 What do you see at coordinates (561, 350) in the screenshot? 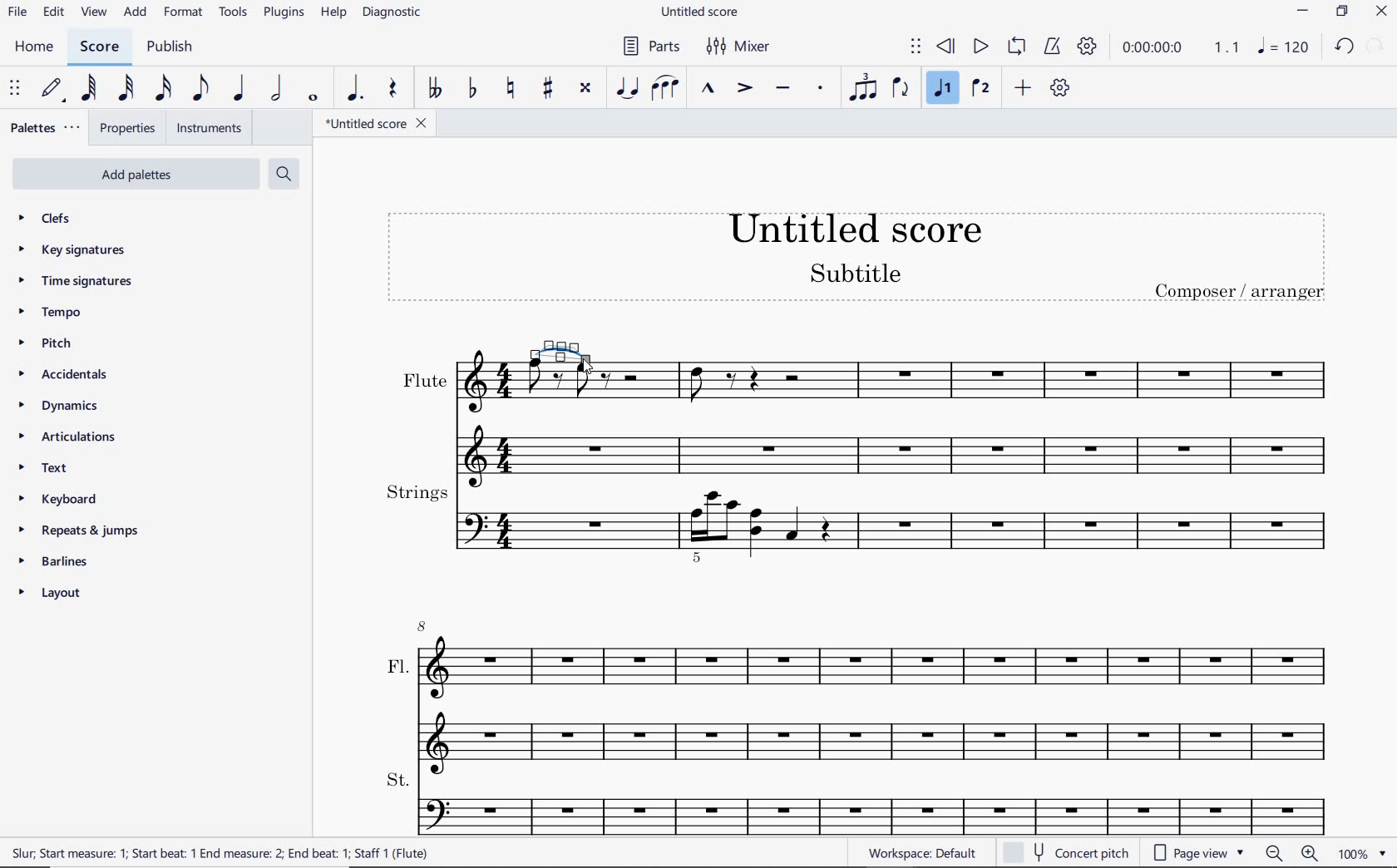
I see `TIE` at bounding box center [561, 350].